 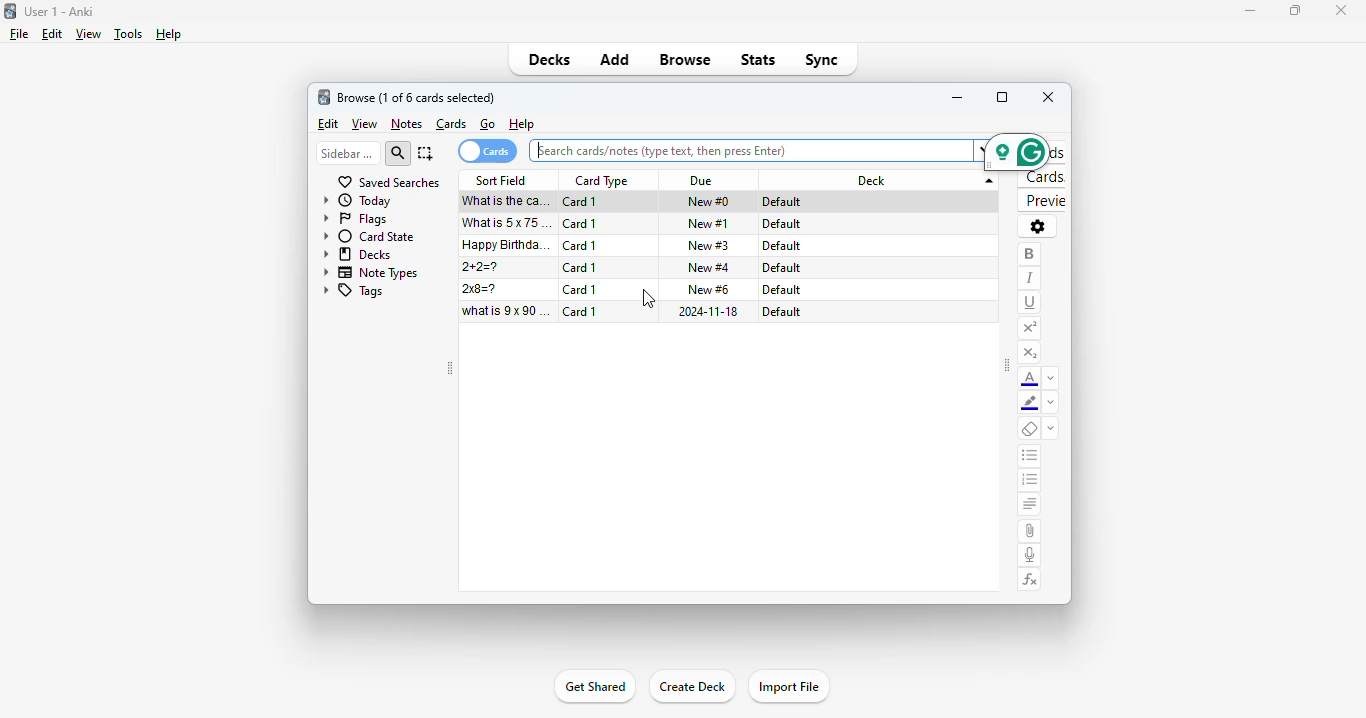 What do you see at coordinates (506, 201) in the screenshot?
I see `what is the capital of France?` at bounding box center [506, 201].